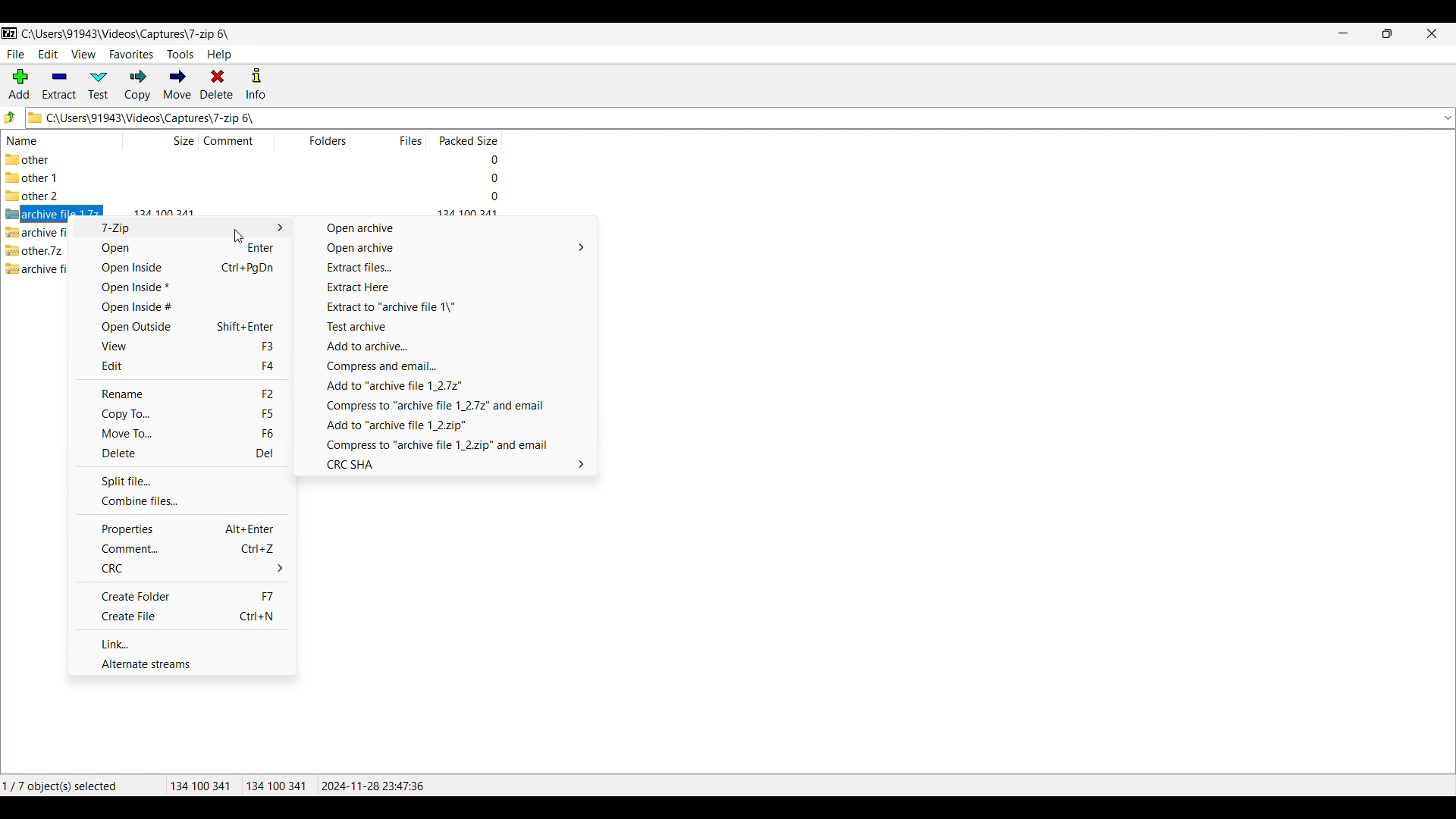  I want to click on Help menu, so click(219, 55).